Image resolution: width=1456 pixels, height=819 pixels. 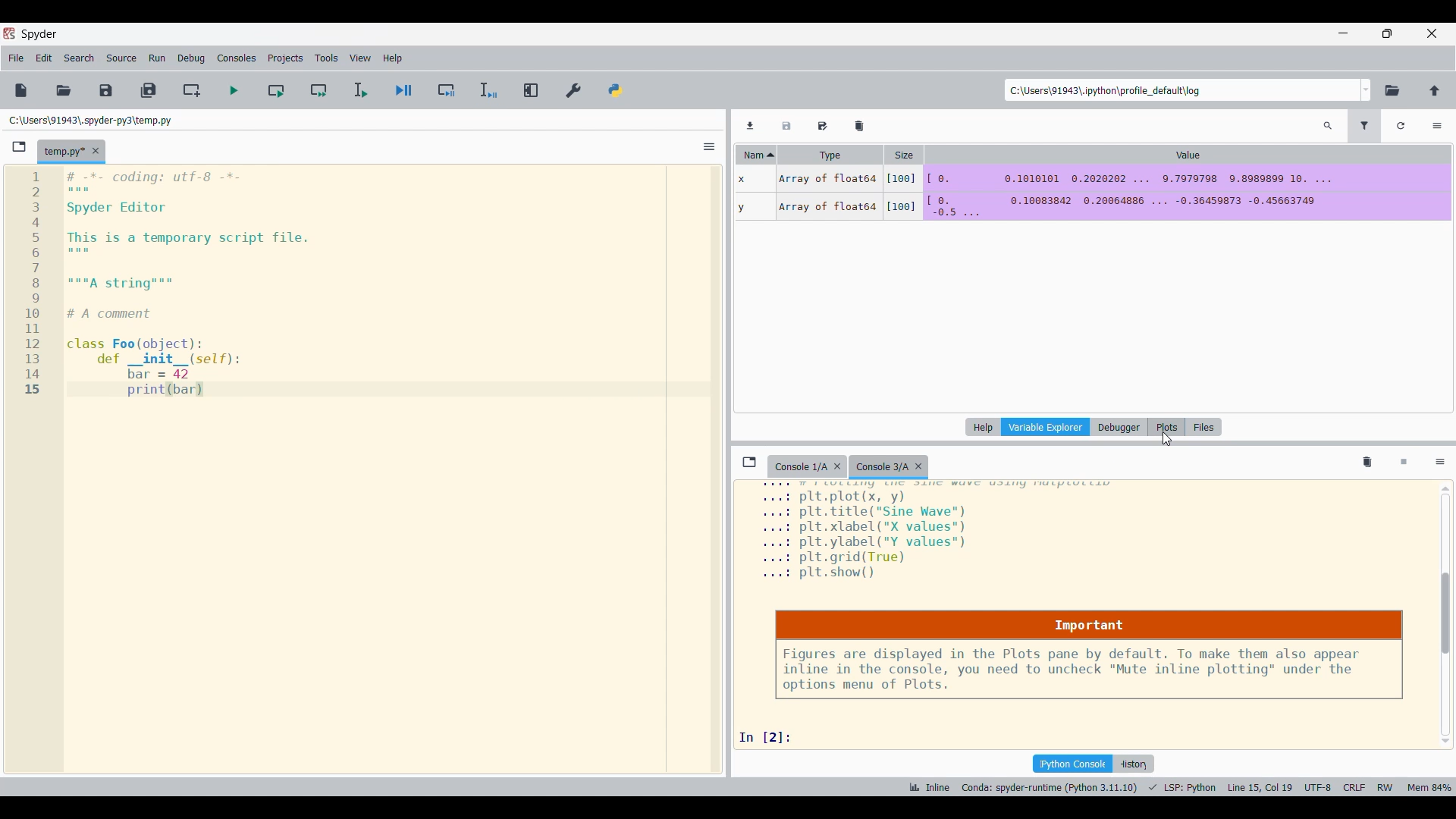 What do you see at coordinates (1367, 89) in the screenshot?
I see `Location options` at bounding box center [1367, 89].